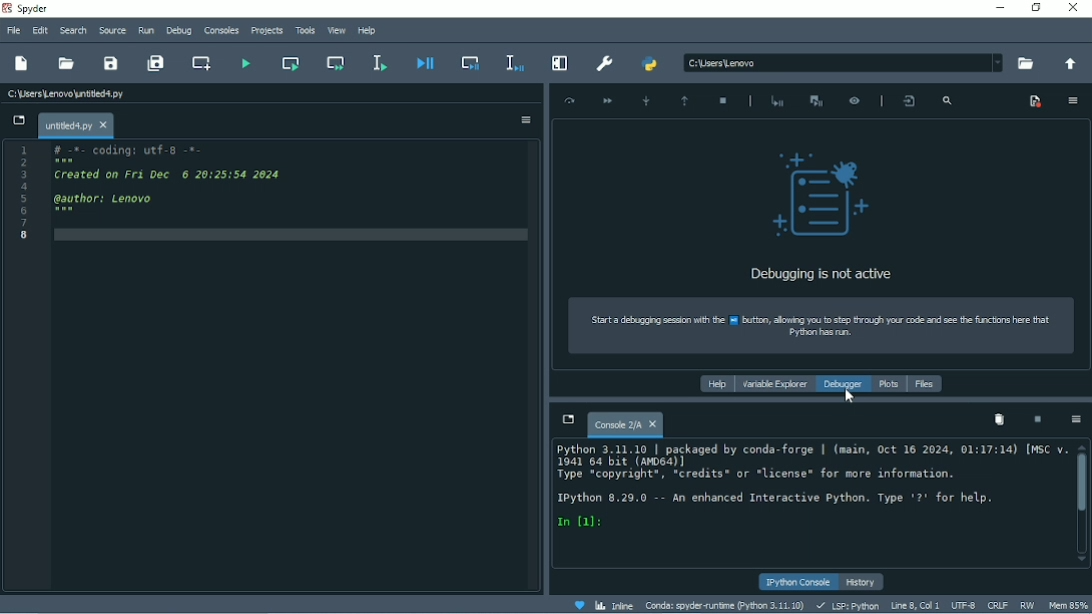  What do you see at coordinates (849, 397) in the screenshot?
I see `Cursor` at bounding box center [849, 397].